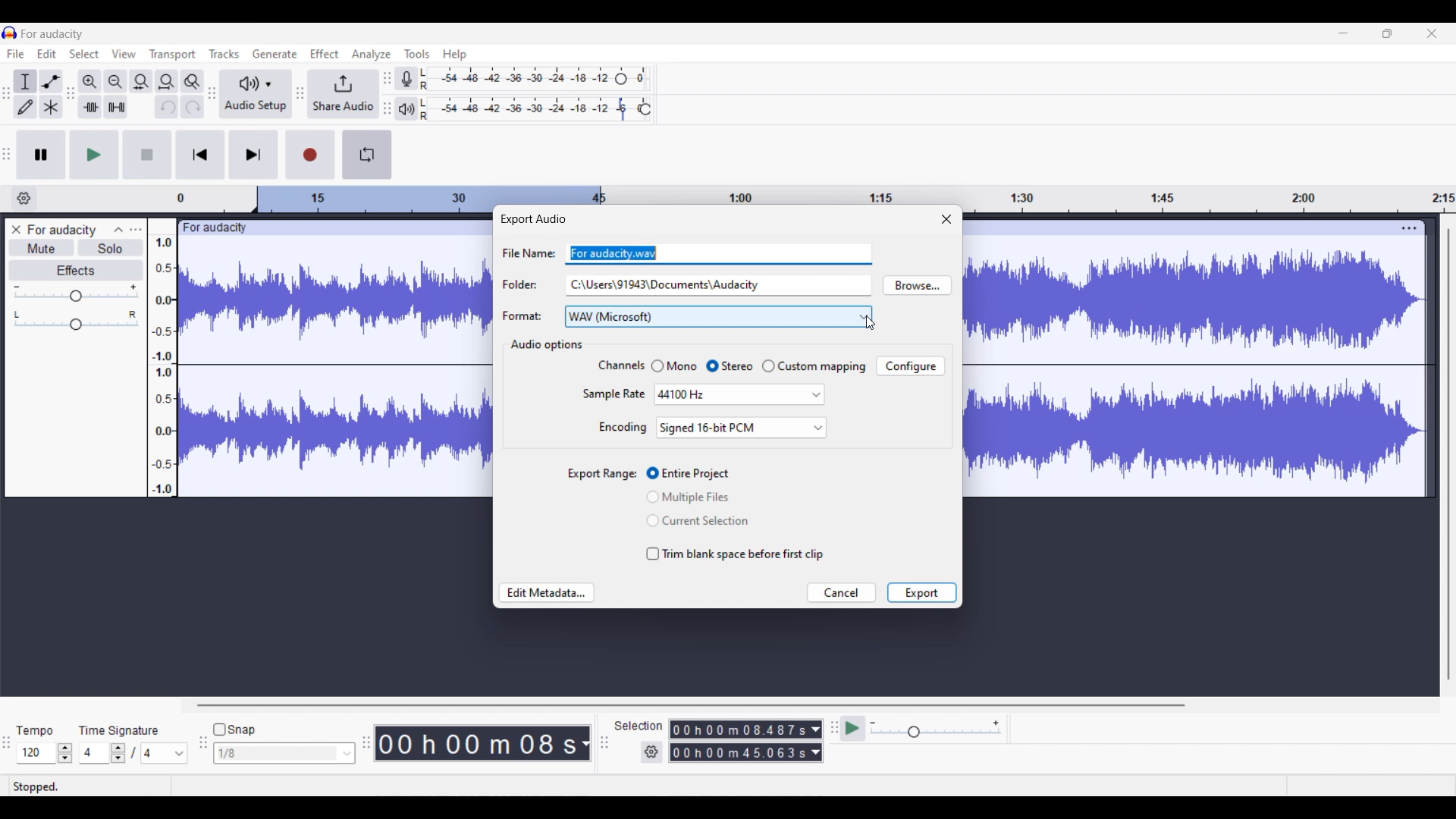 The width and height of the screenshot is (1456, 819). What do you see at coordinates (946, 218) in the screenshot?
I see `Close` at bounding box center [946, 218].